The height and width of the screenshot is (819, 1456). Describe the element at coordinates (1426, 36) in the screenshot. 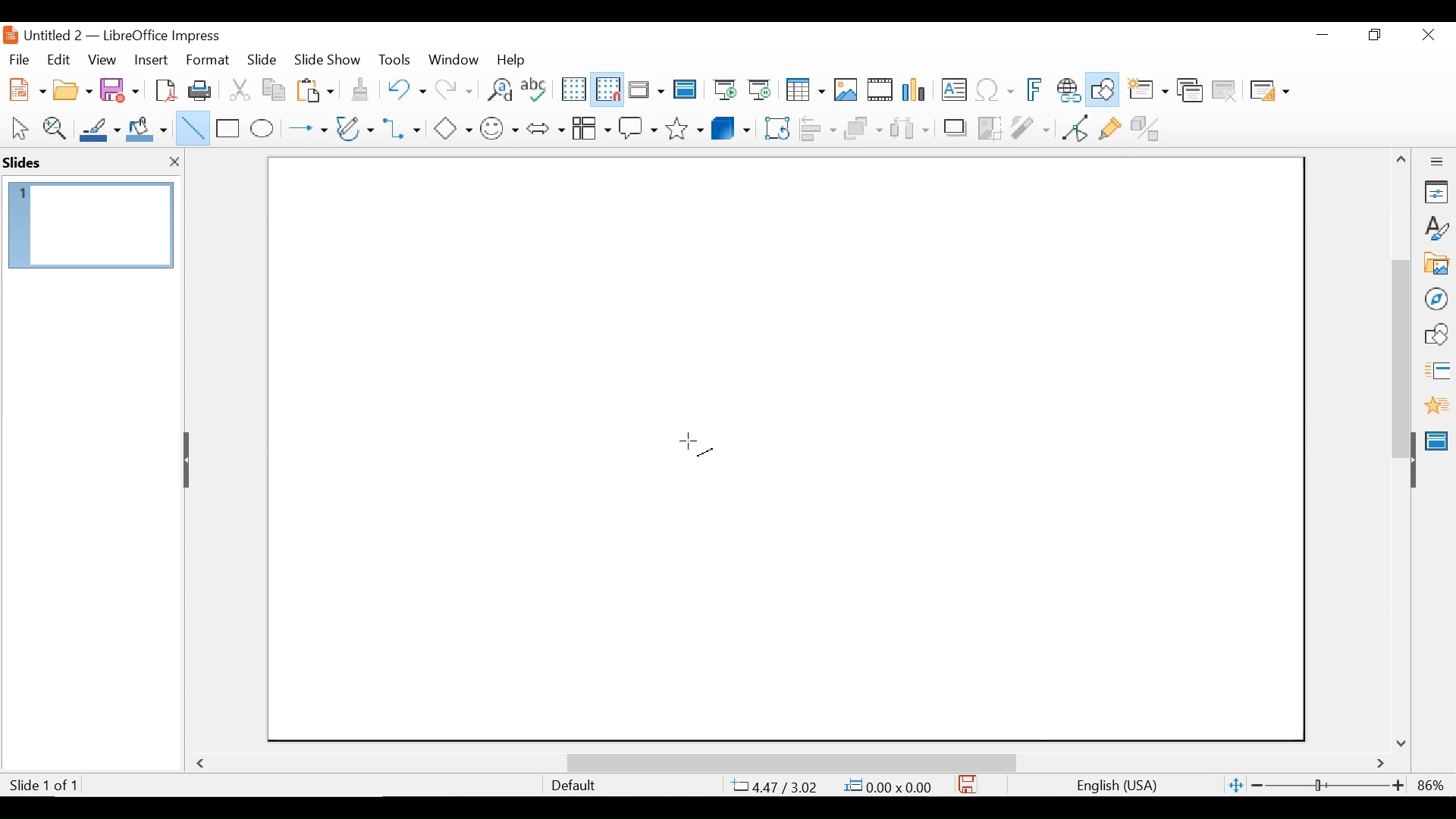

I see `Close` at that location.